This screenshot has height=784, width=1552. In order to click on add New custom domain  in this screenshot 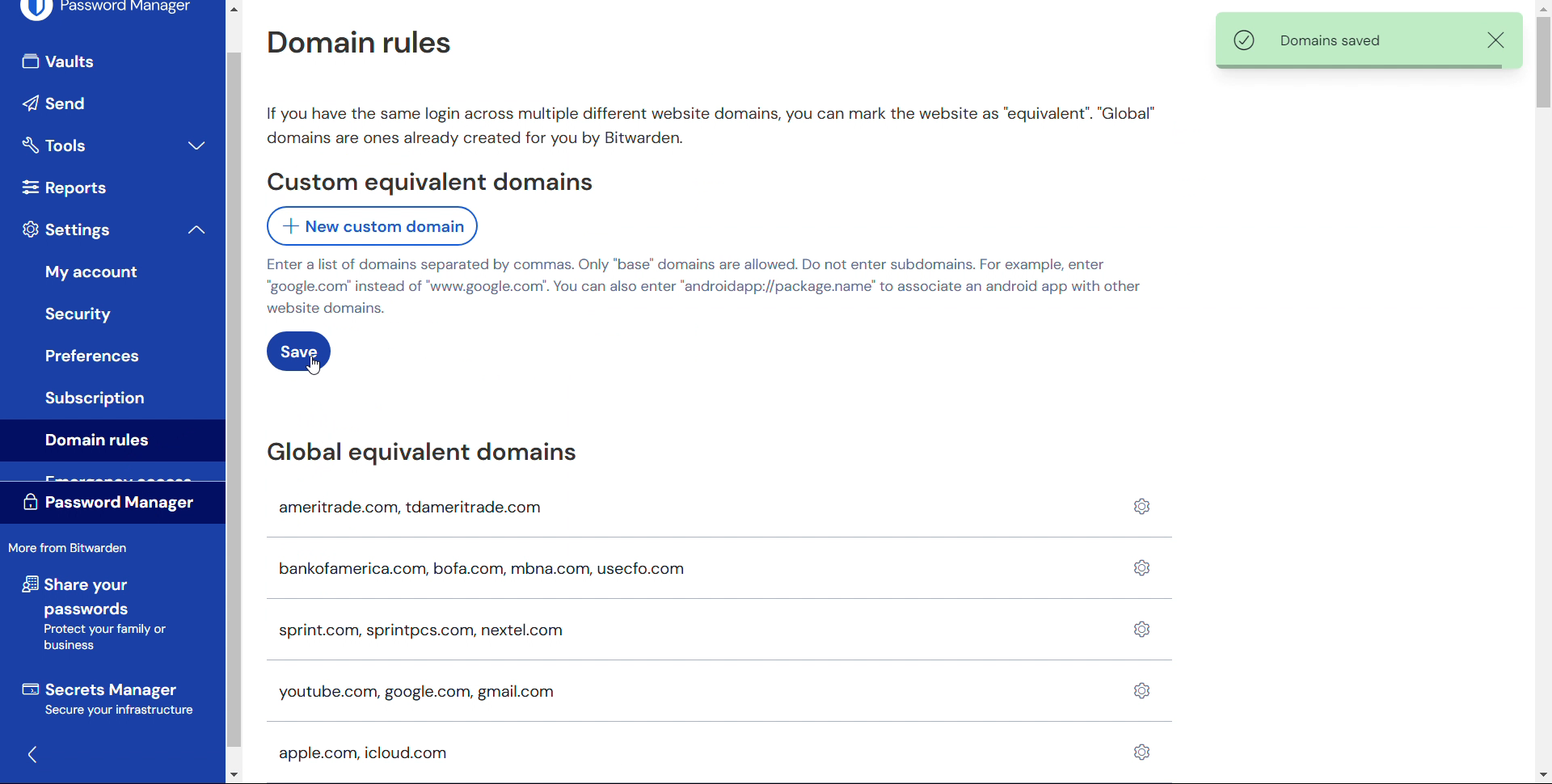, I will do `click(371, 226)`.